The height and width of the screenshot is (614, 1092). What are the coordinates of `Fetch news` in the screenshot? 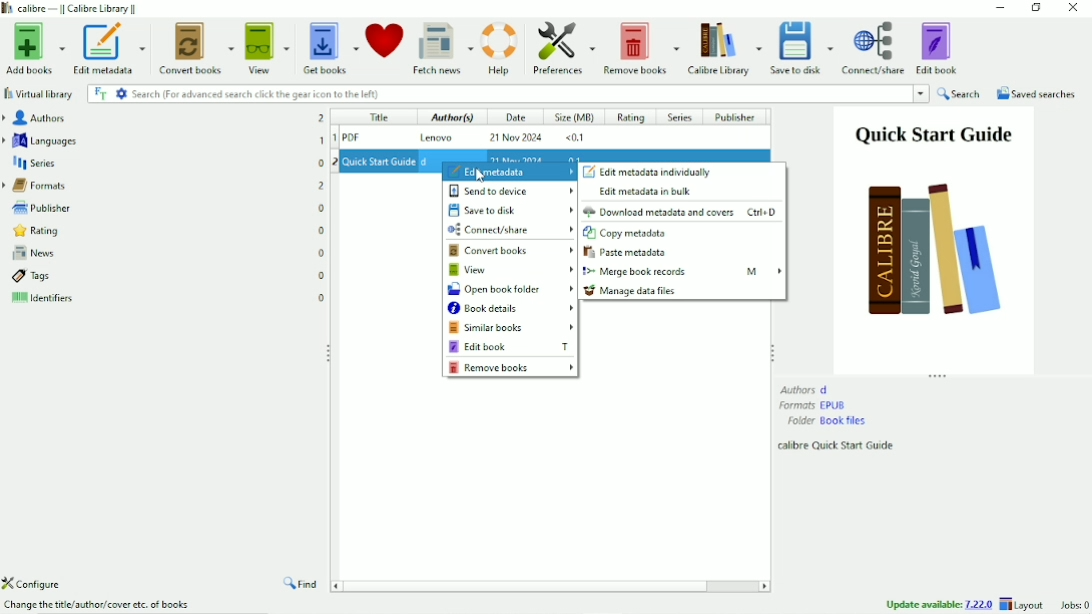 It's located at (442, 47).